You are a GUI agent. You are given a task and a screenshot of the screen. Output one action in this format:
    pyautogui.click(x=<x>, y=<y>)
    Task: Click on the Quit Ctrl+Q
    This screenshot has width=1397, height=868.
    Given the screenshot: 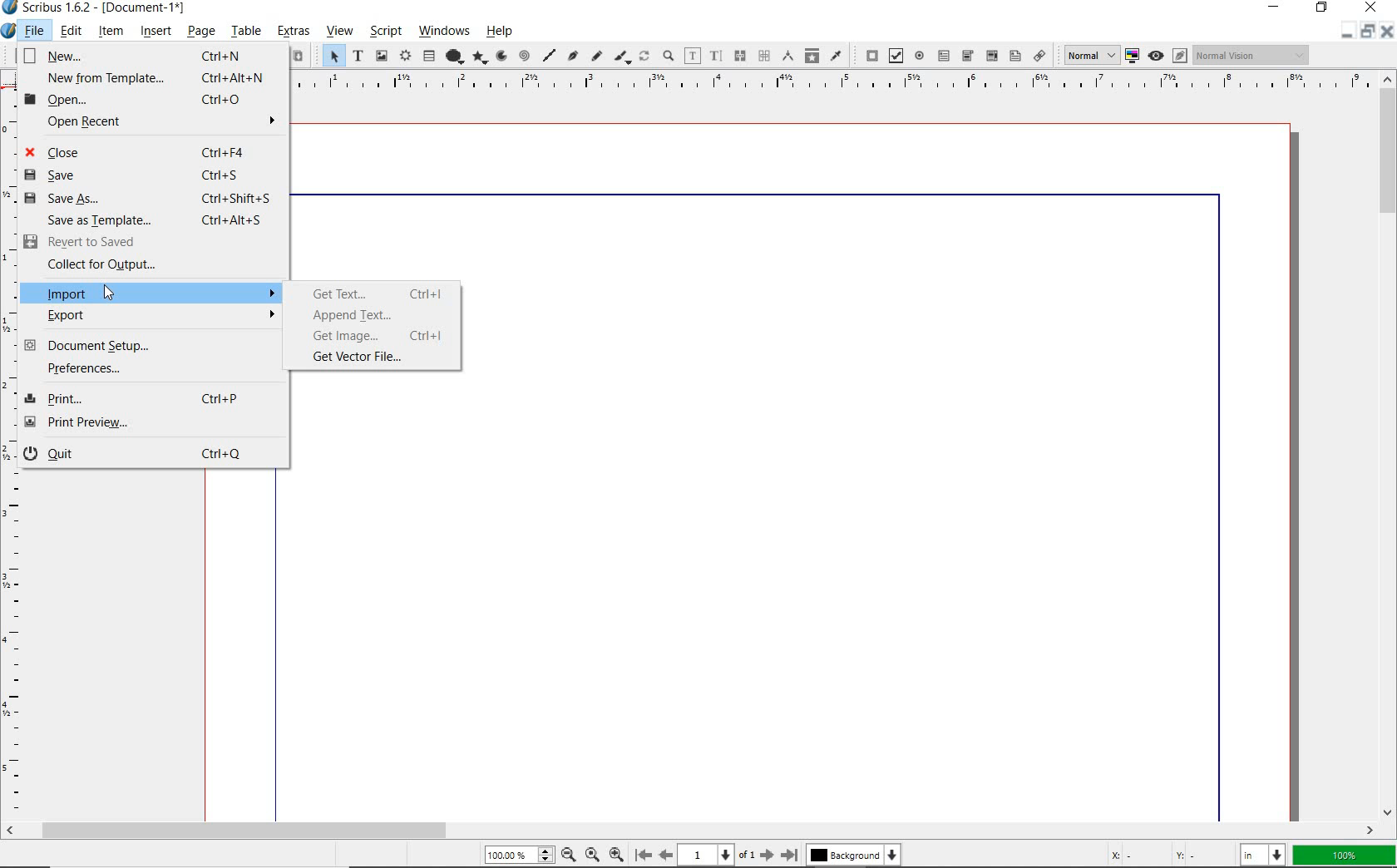 What is the action you would take?
    pyautogui.click(x=152, y=455)
    